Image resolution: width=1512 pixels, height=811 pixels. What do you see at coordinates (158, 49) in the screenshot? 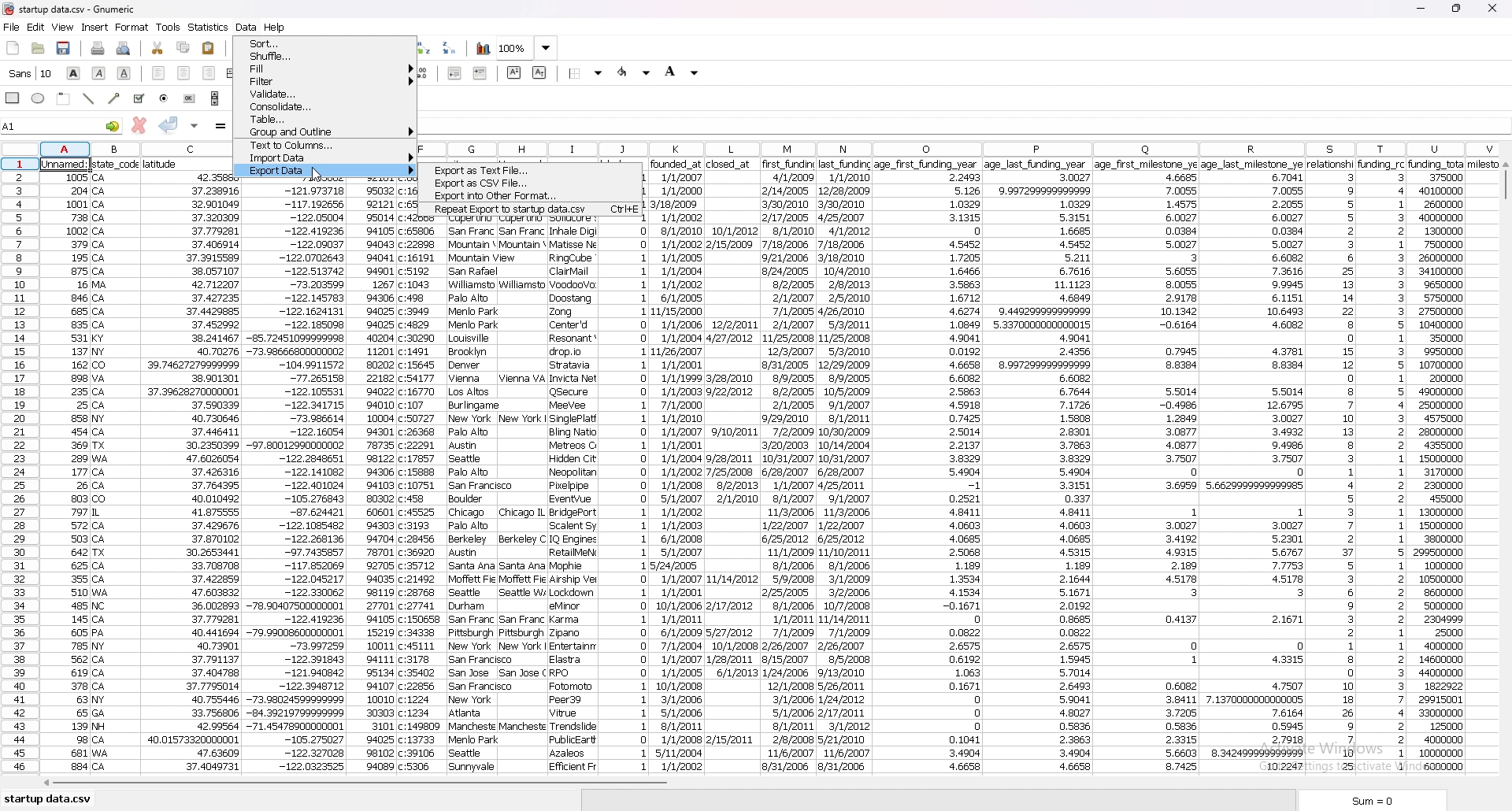
I see `cut` at bounding box center [158, 49].